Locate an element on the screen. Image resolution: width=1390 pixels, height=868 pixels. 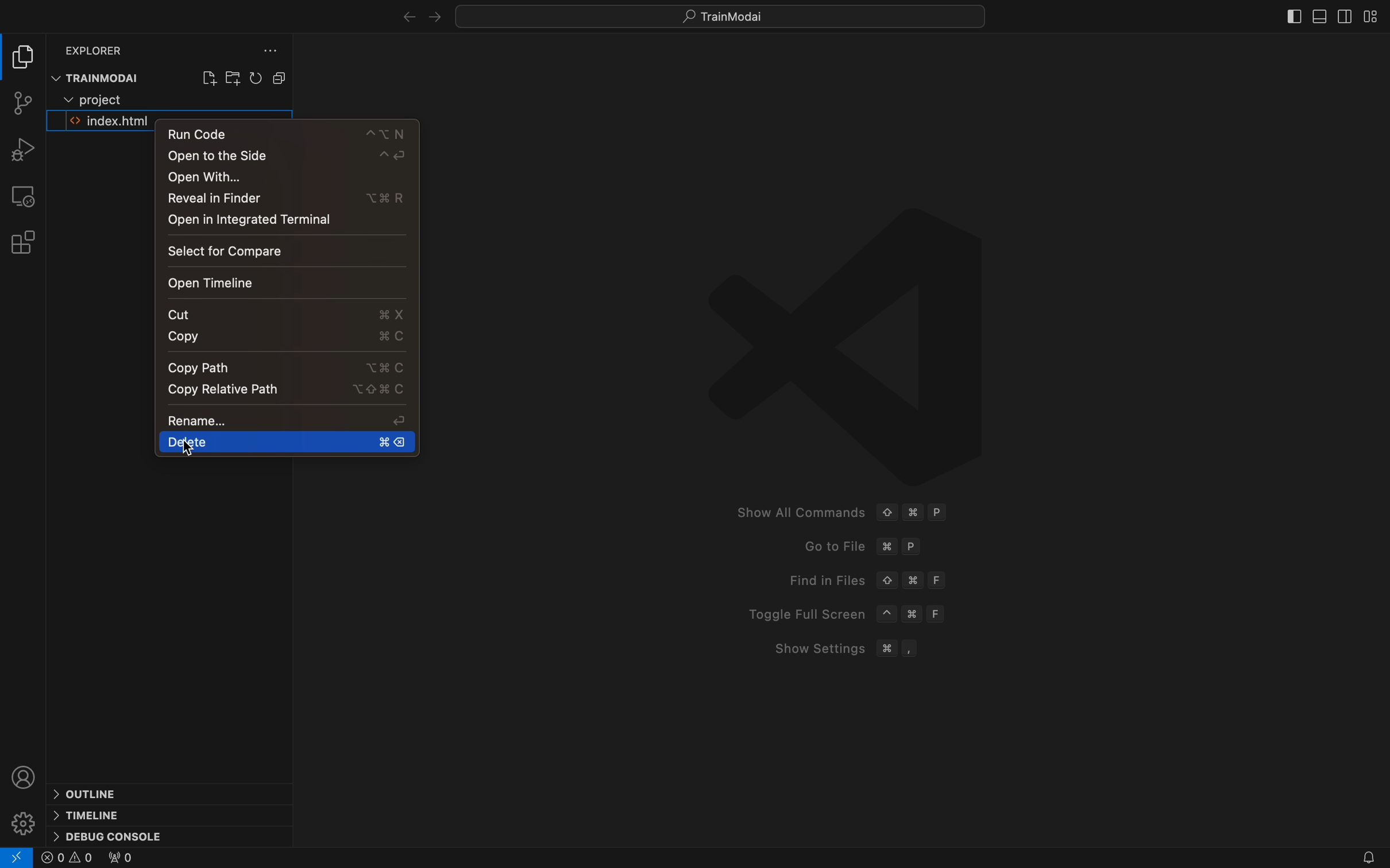
trainmodal is located at coordinates (110, 76).